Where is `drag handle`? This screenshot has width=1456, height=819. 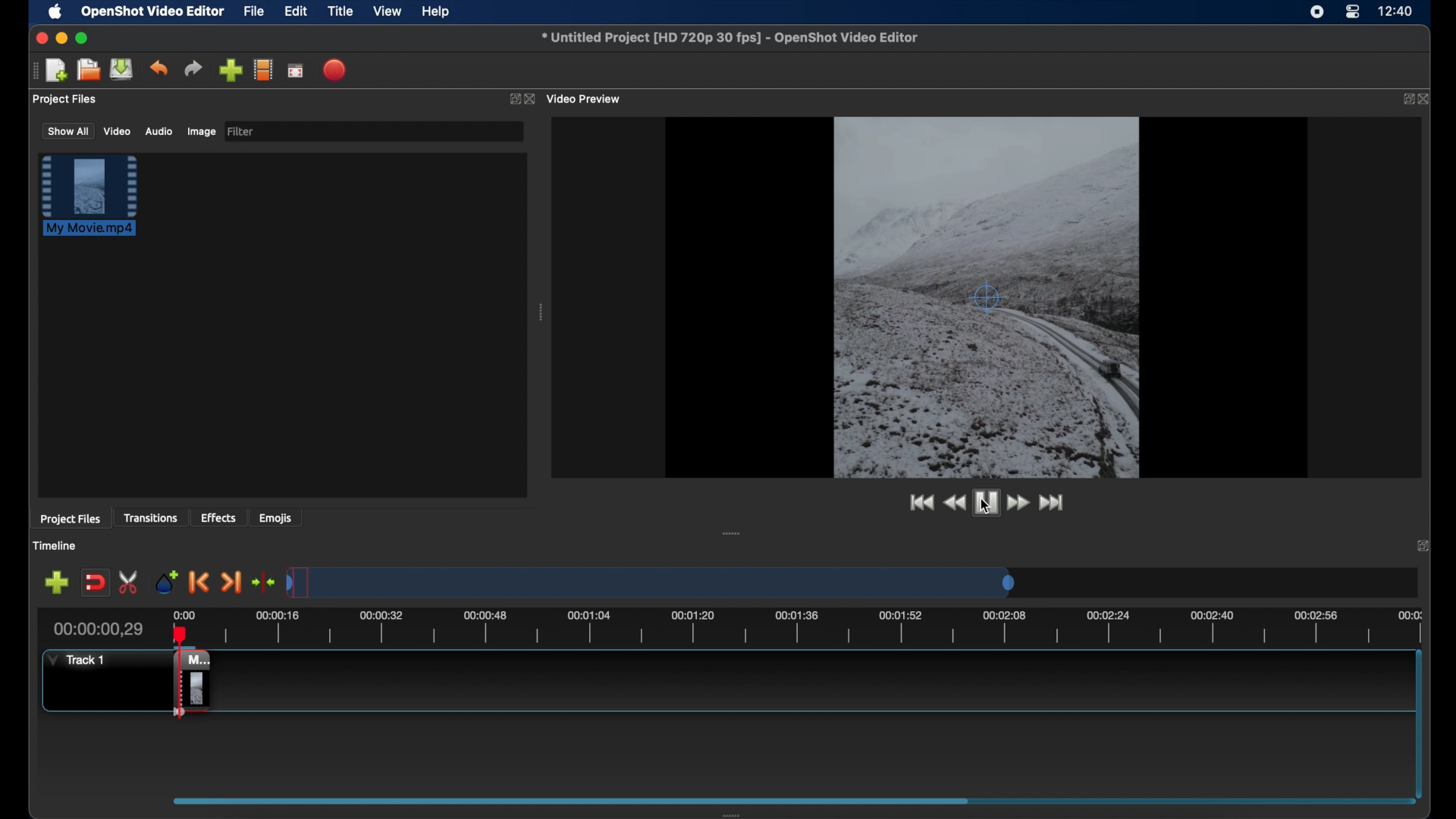 drag handle is located at coordinates (730, 534).